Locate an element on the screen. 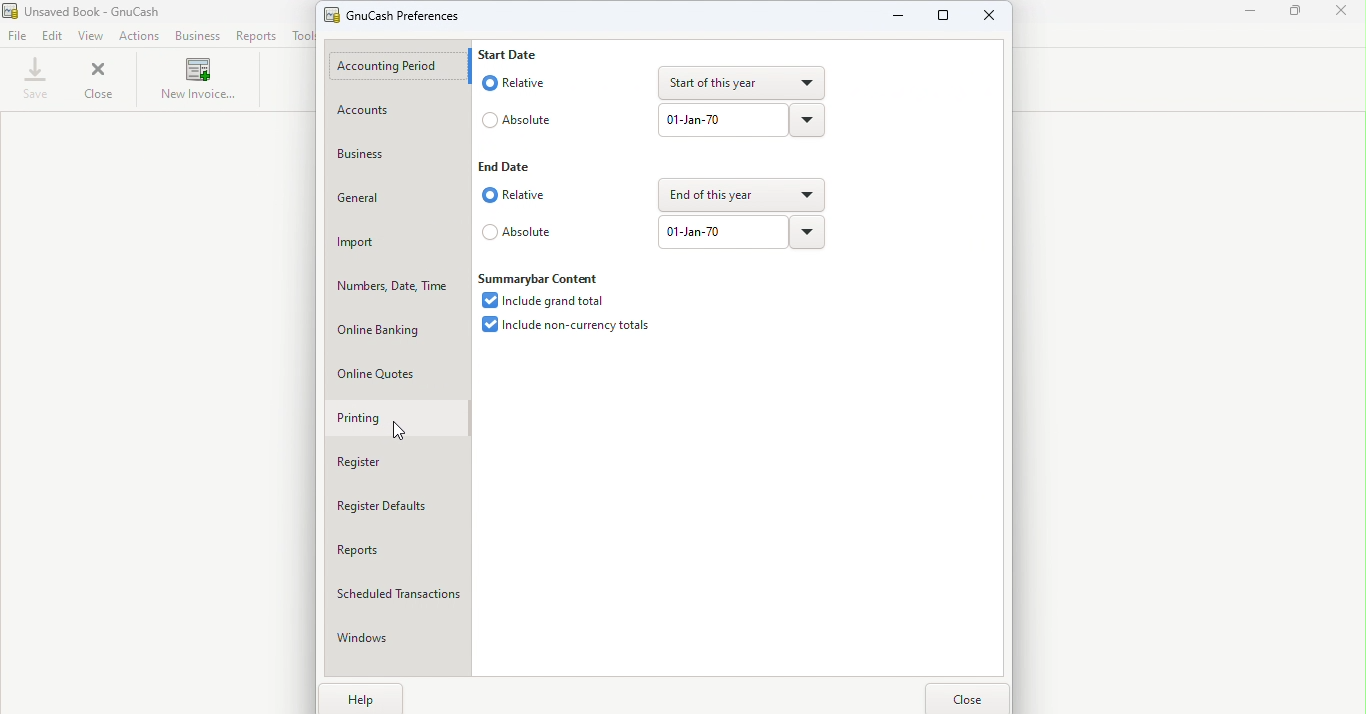  Close is located at coordinates (1346, 16).